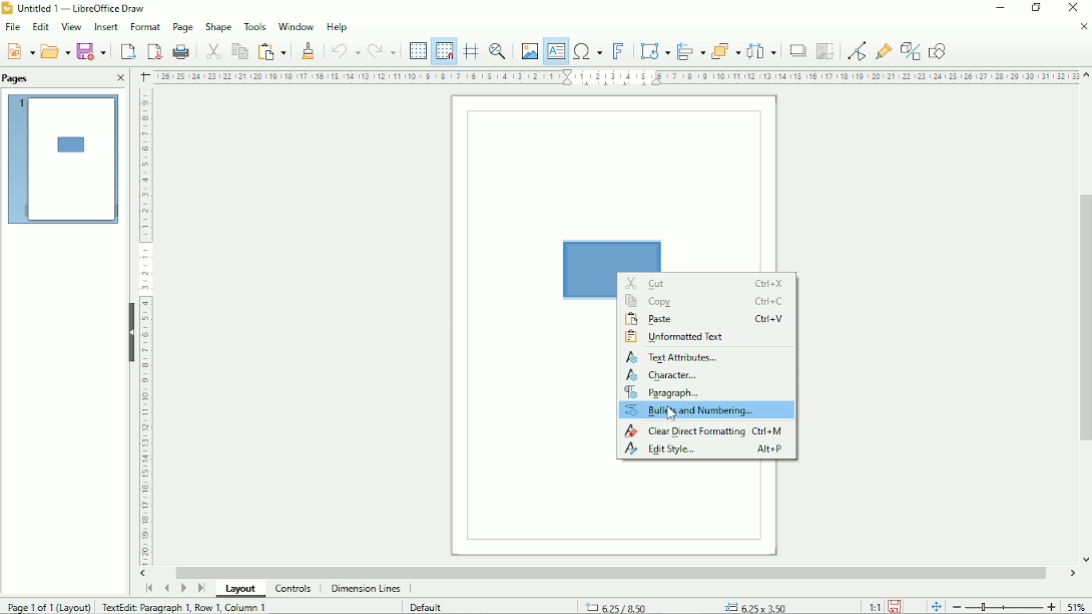 Image resolution: width=1092 pixels, height=614 pixels. What do you see at coordinates (705, 301) in the screenshot?
I see `Copy` at bounding box center [705, 301].